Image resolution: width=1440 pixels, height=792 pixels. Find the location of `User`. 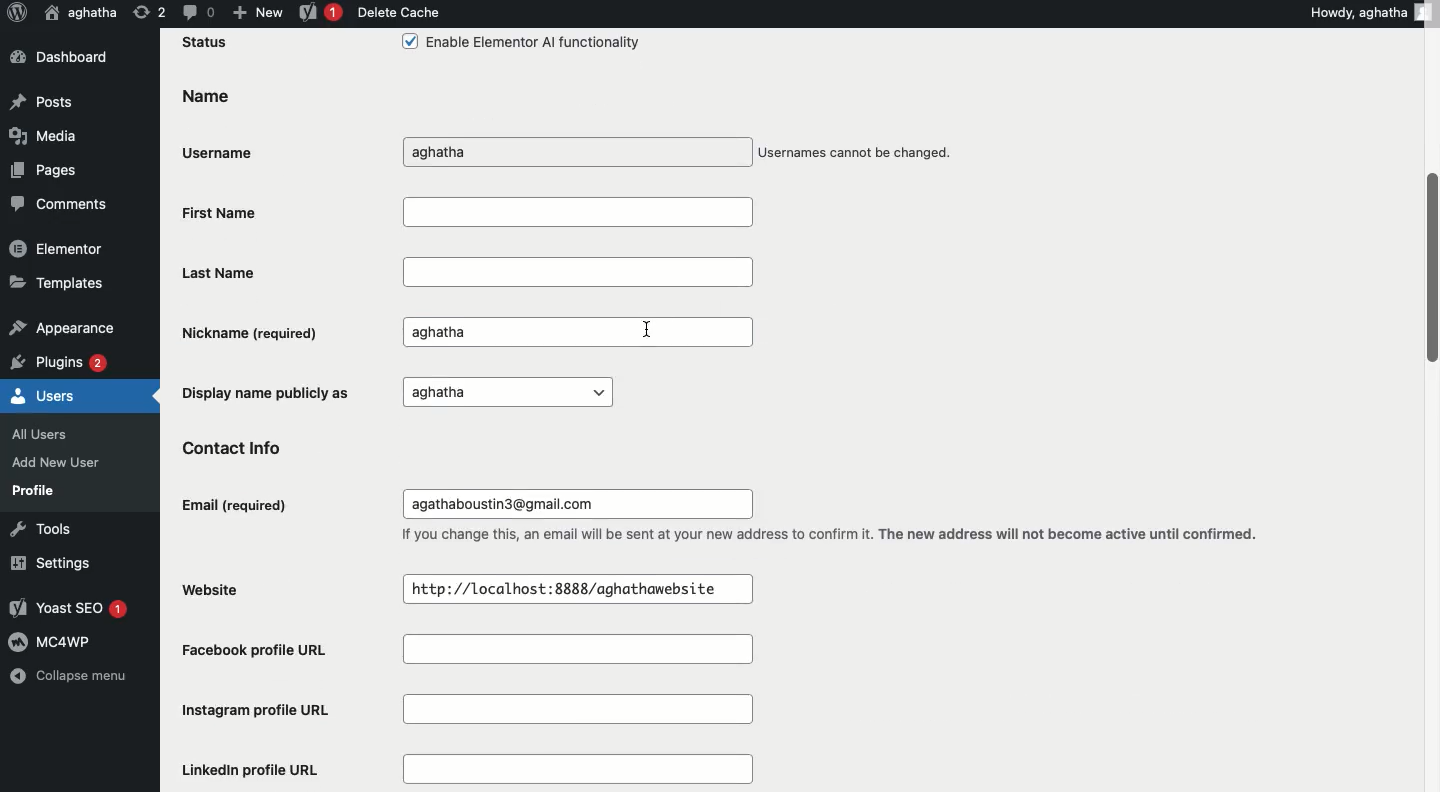

User is located at coordinates (82, 12).